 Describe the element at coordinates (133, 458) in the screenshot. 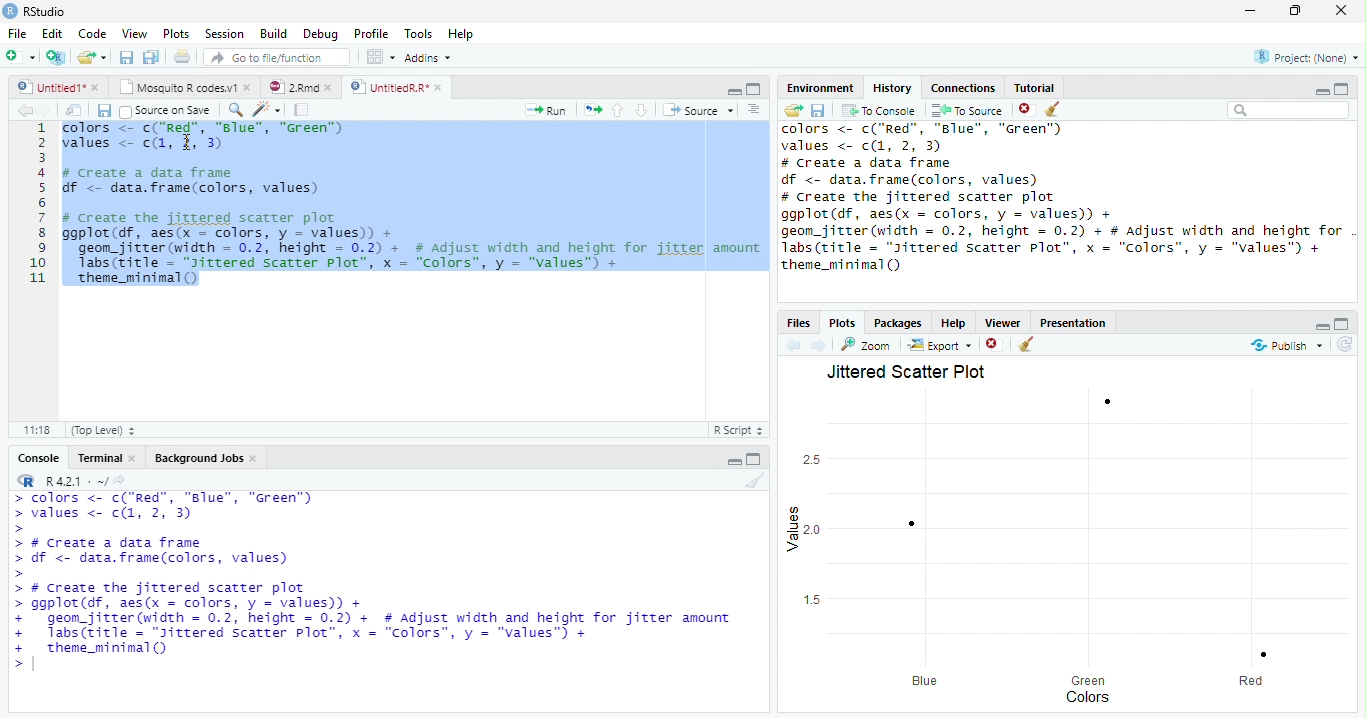

I see `close` at that location.